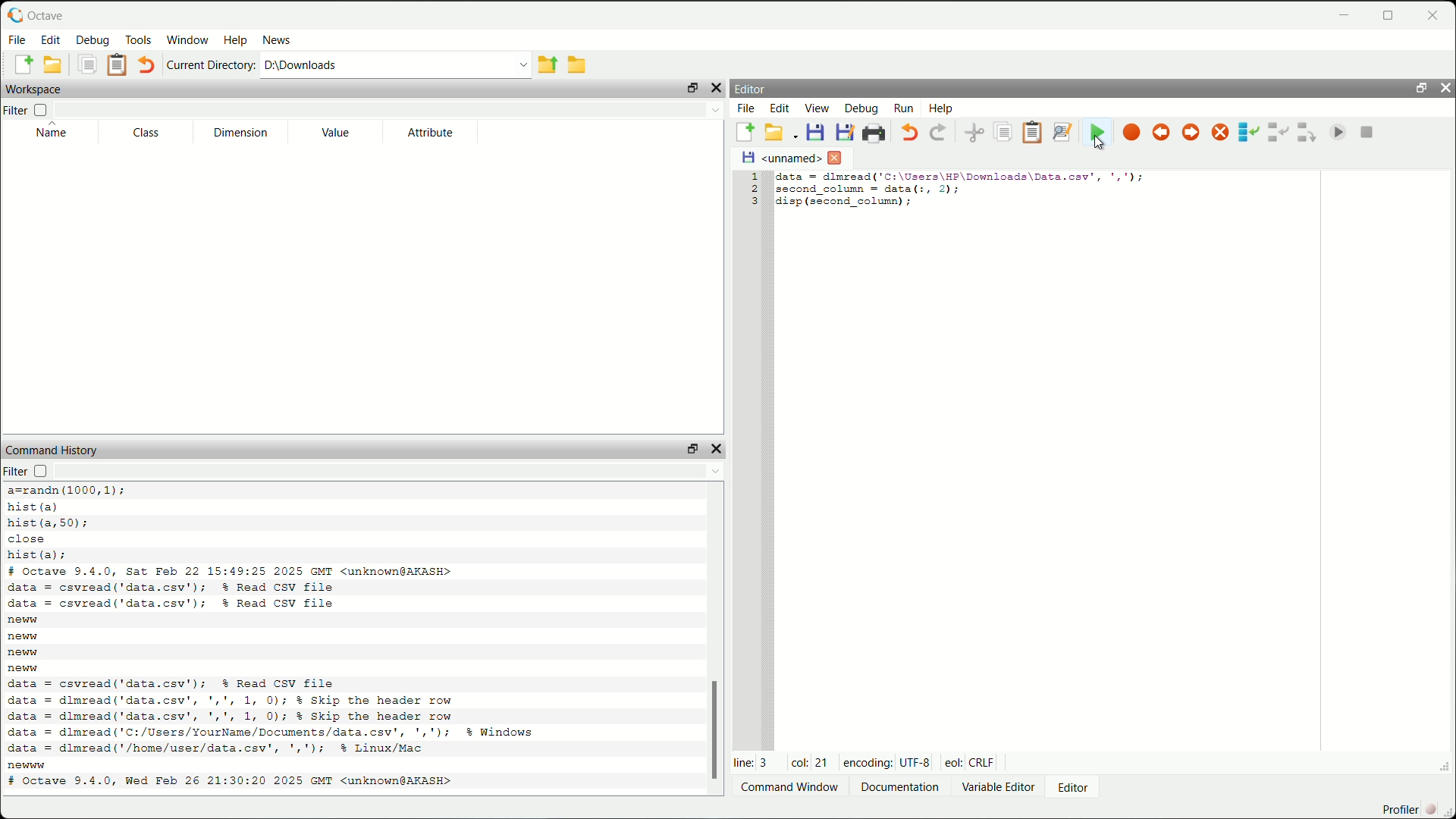 This screenshot has height=819, width=1456. I want to click on workspace, so click(33, 91).